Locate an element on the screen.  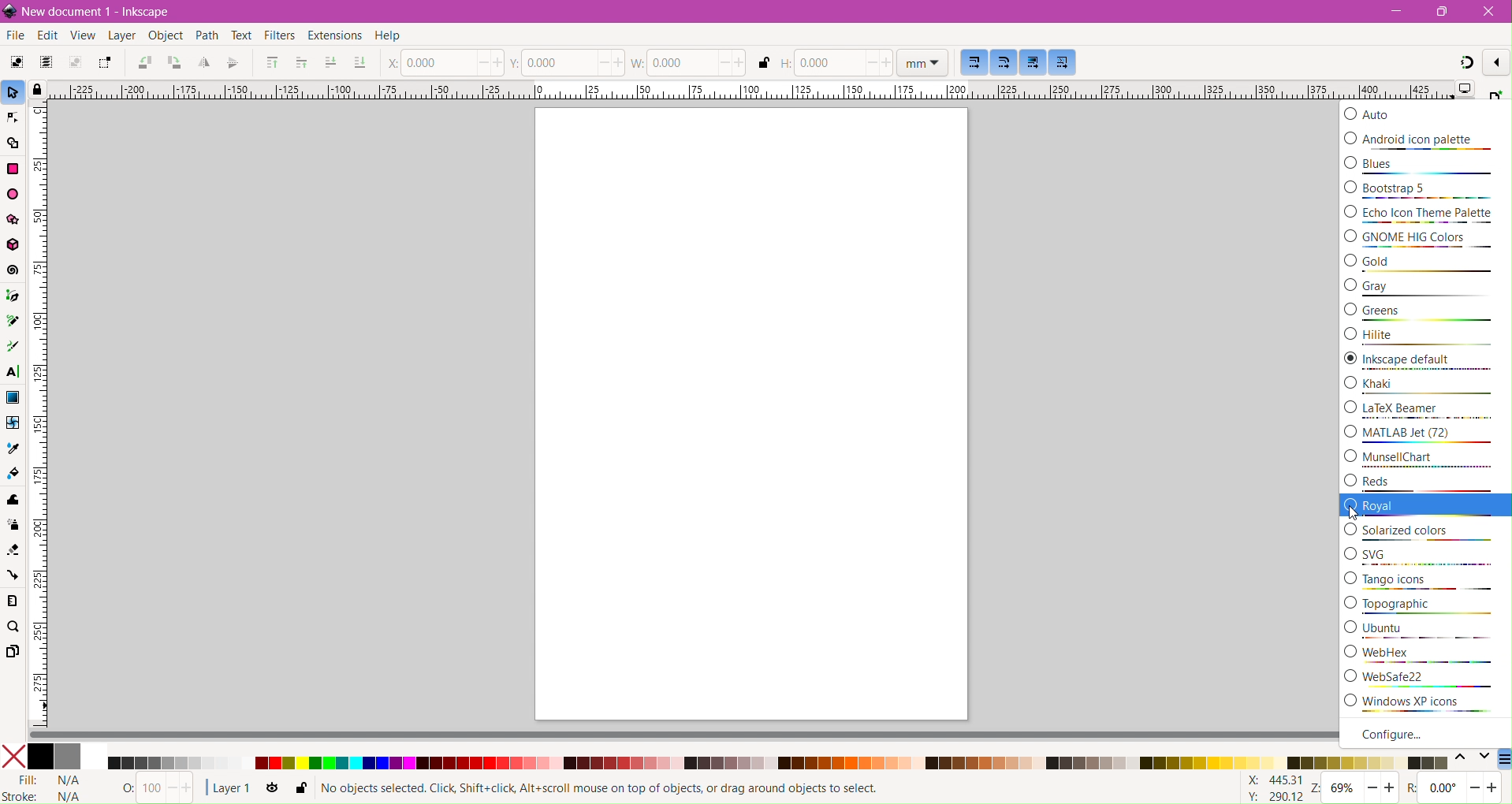
Zoom is located at coordinates (1355, 789).